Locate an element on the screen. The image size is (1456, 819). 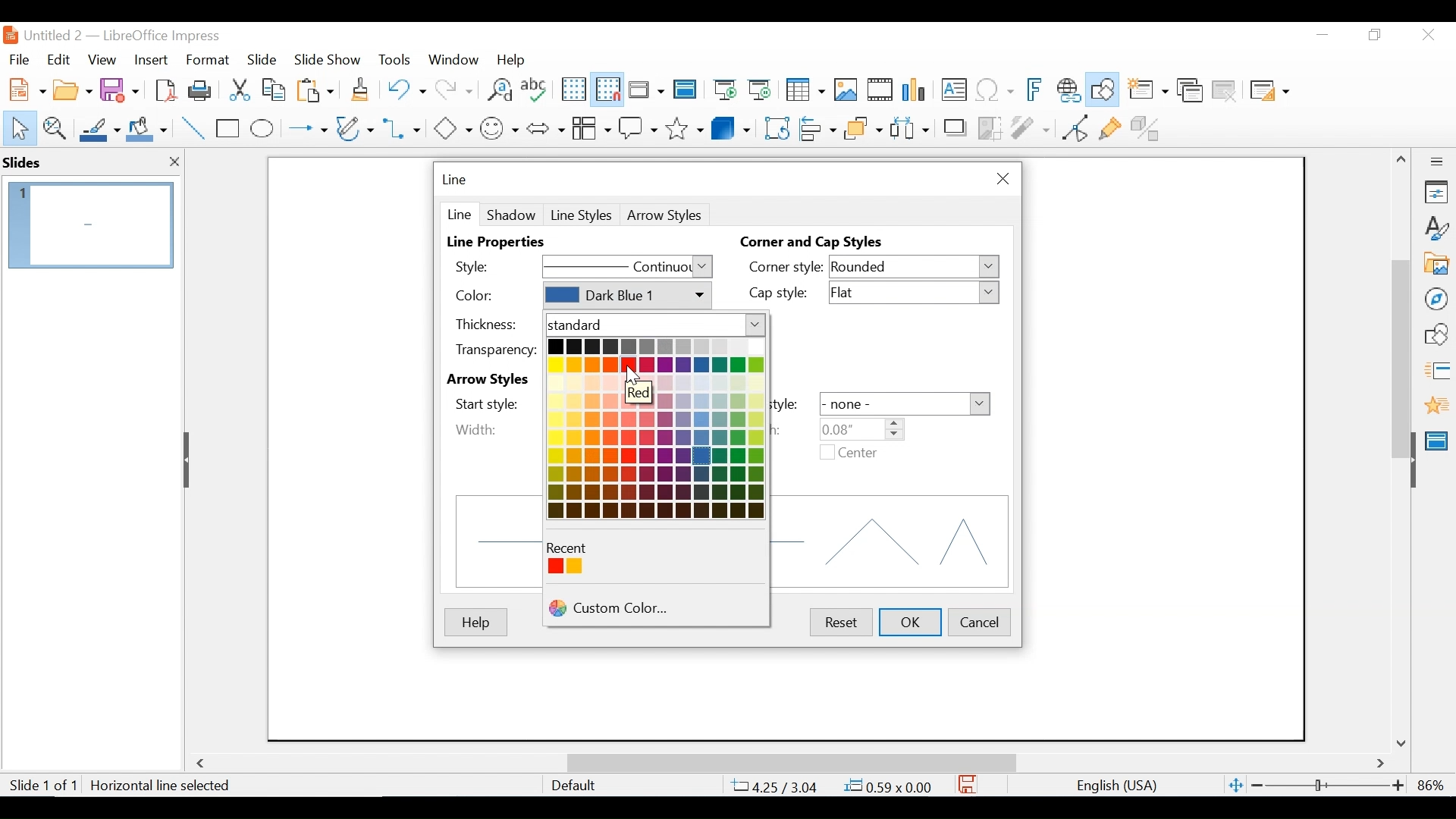
Vertical Scrollbar is located at coordinates (1400, 341).